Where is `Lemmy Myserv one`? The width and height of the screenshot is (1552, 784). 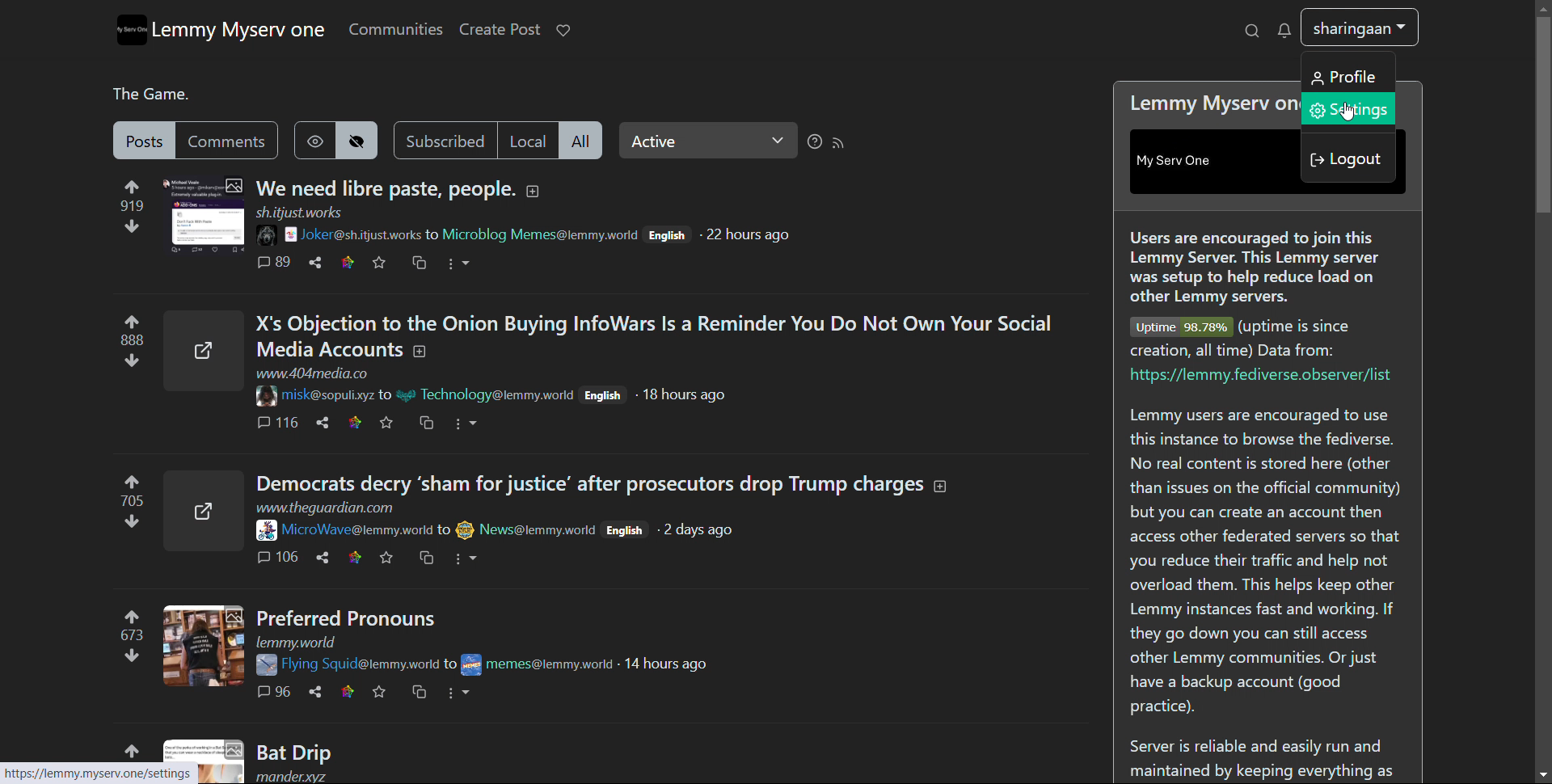 Lemmy Myserv one is located at coordinates (1212, 105).